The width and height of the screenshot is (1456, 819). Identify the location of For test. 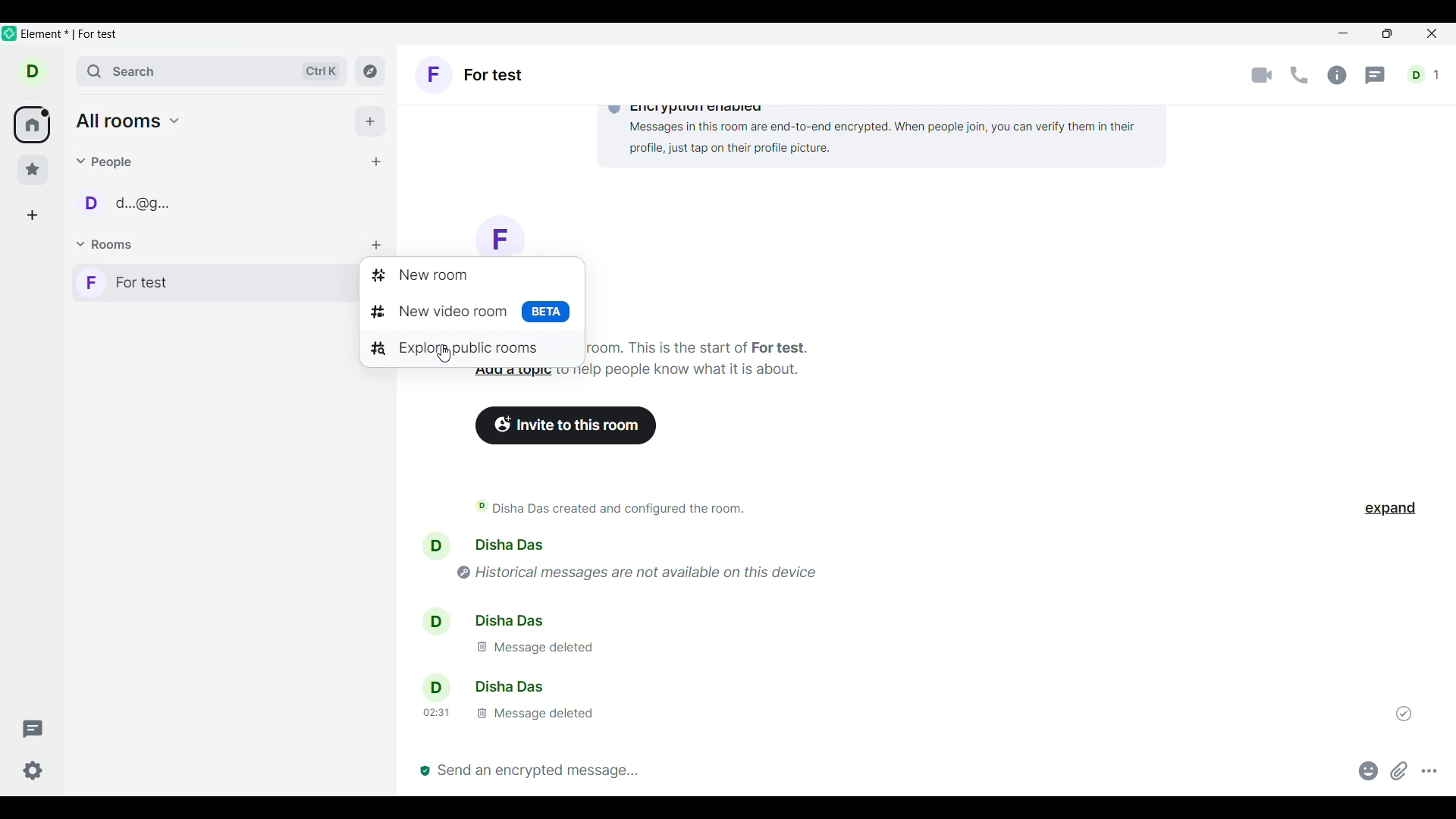
(196, 282).